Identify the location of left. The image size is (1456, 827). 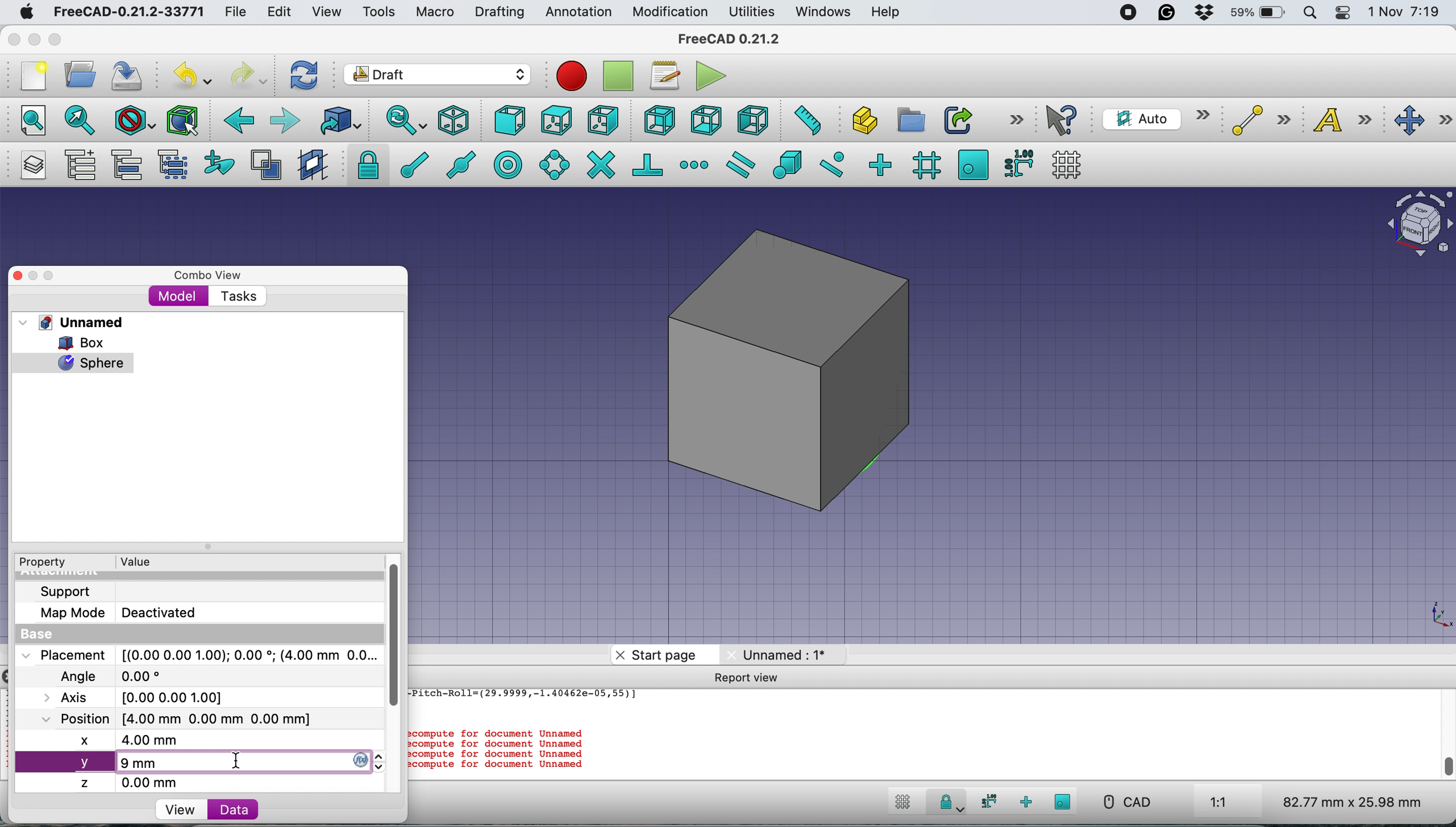
(752, 120).